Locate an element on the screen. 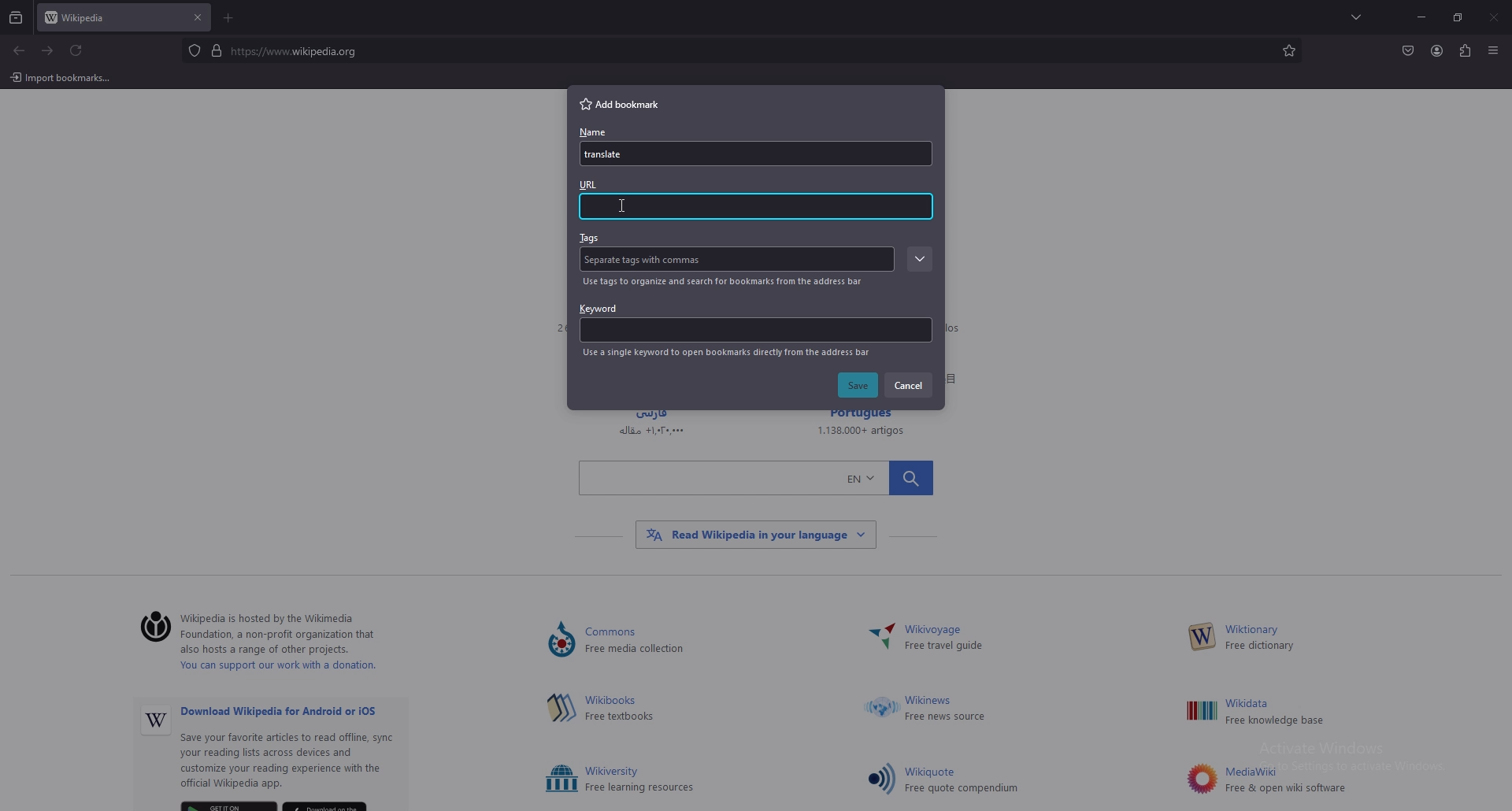 This screenshot has height=811, width=1512.  is located at coordinates (947, 709).